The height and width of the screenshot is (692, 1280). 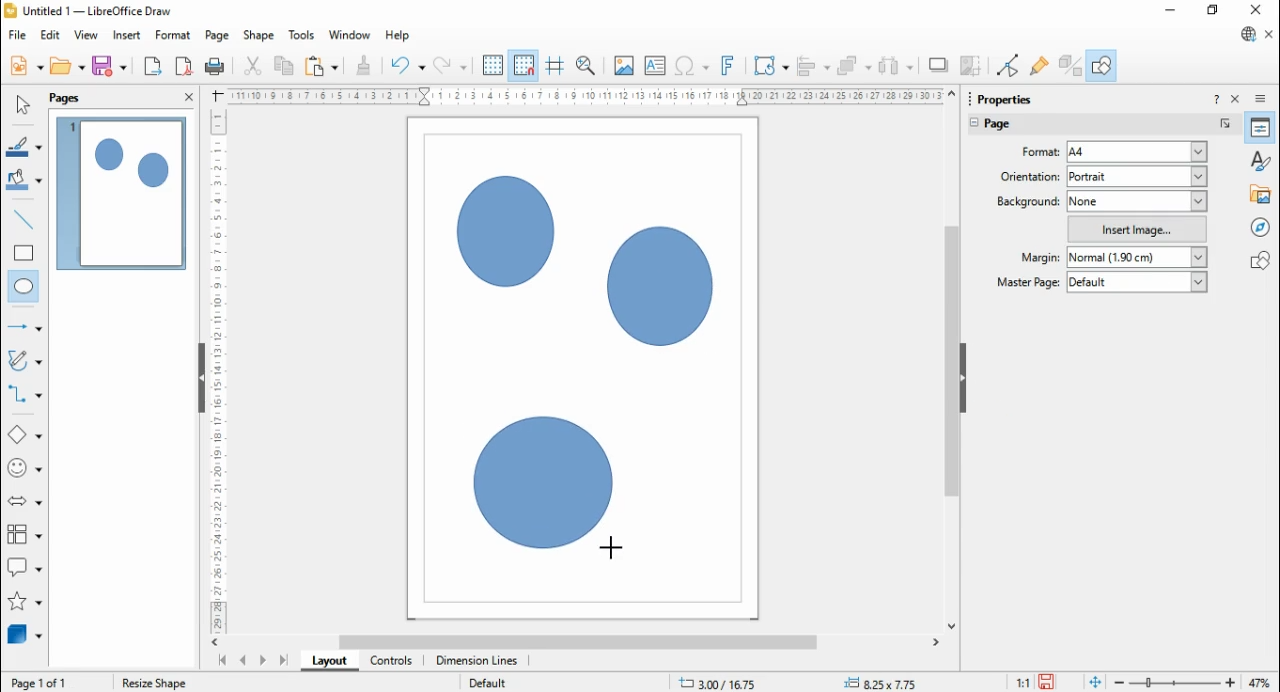 I want to click on format, so click(x=174, y=36).